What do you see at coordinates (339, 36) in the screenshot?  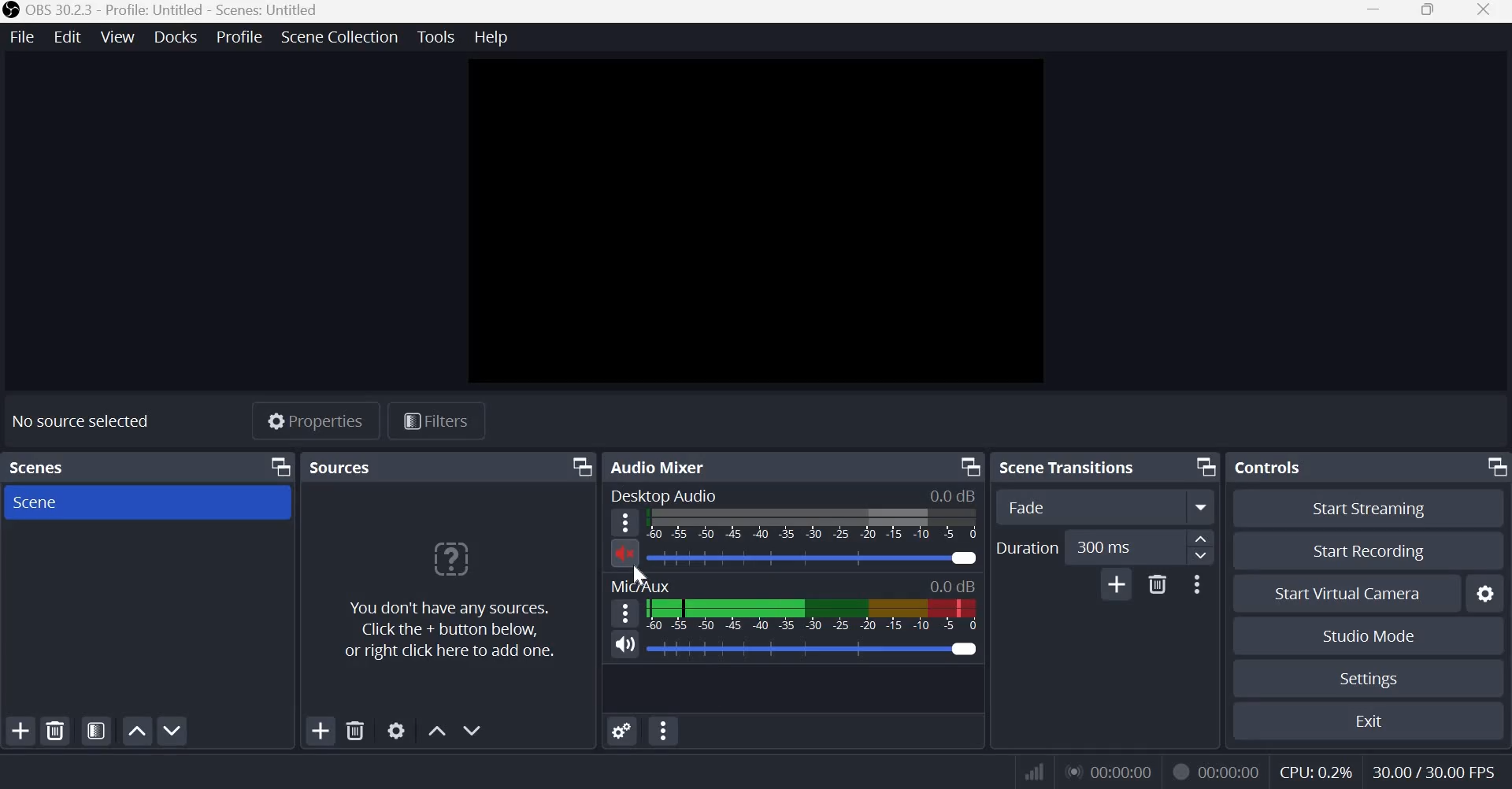 I see `Scene Collection` at bounding box center [339, 36].